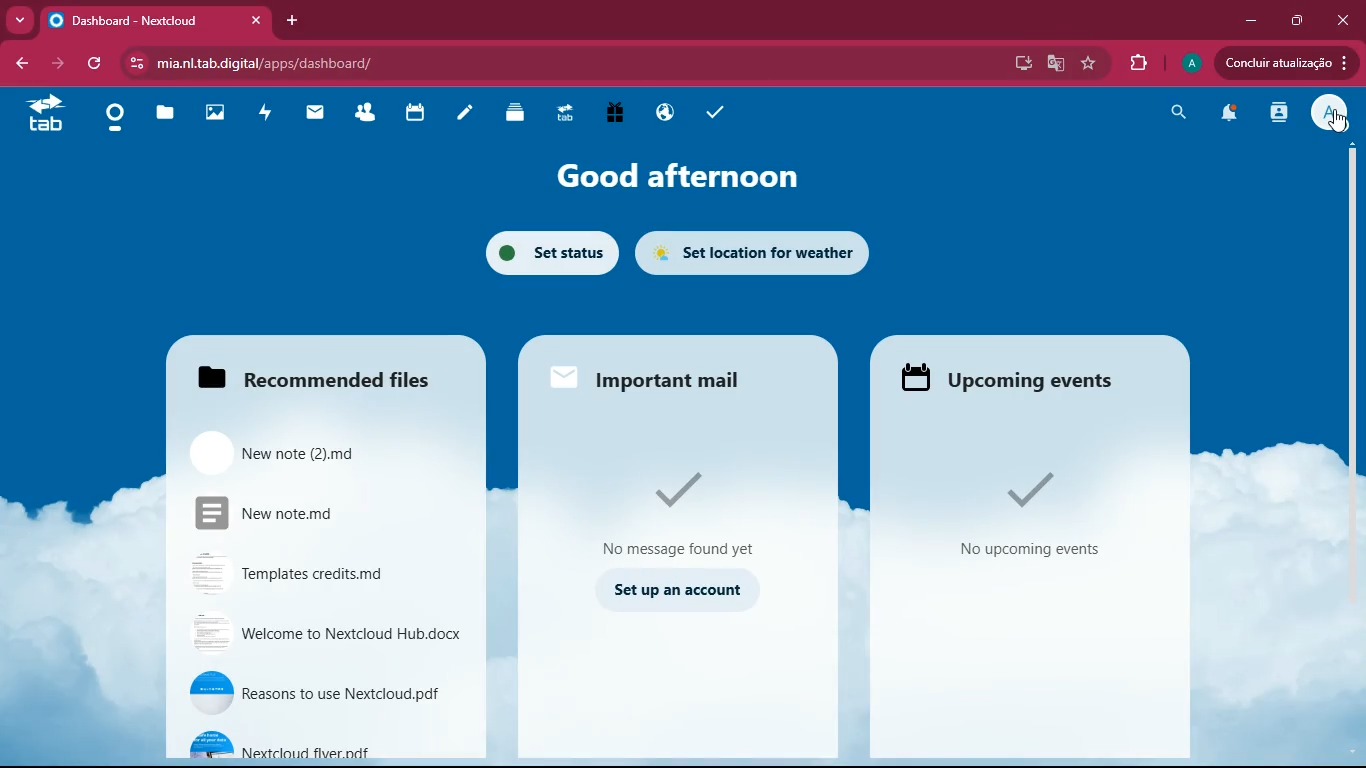  I want to click on Welcome to Nextcloud Hub.docx, so click(326, 631).